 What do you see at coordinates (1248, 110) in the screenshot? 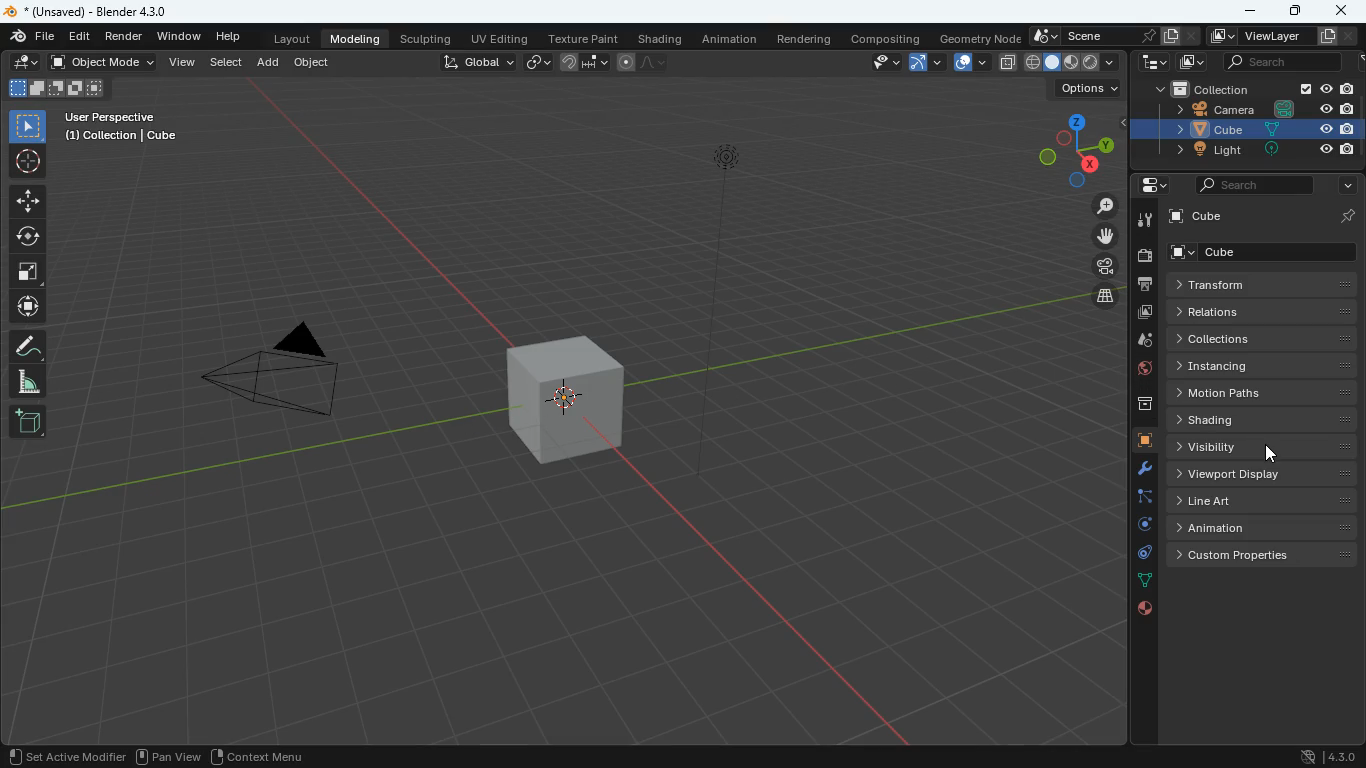
I see `camera` at bounding box center [1248, 110].